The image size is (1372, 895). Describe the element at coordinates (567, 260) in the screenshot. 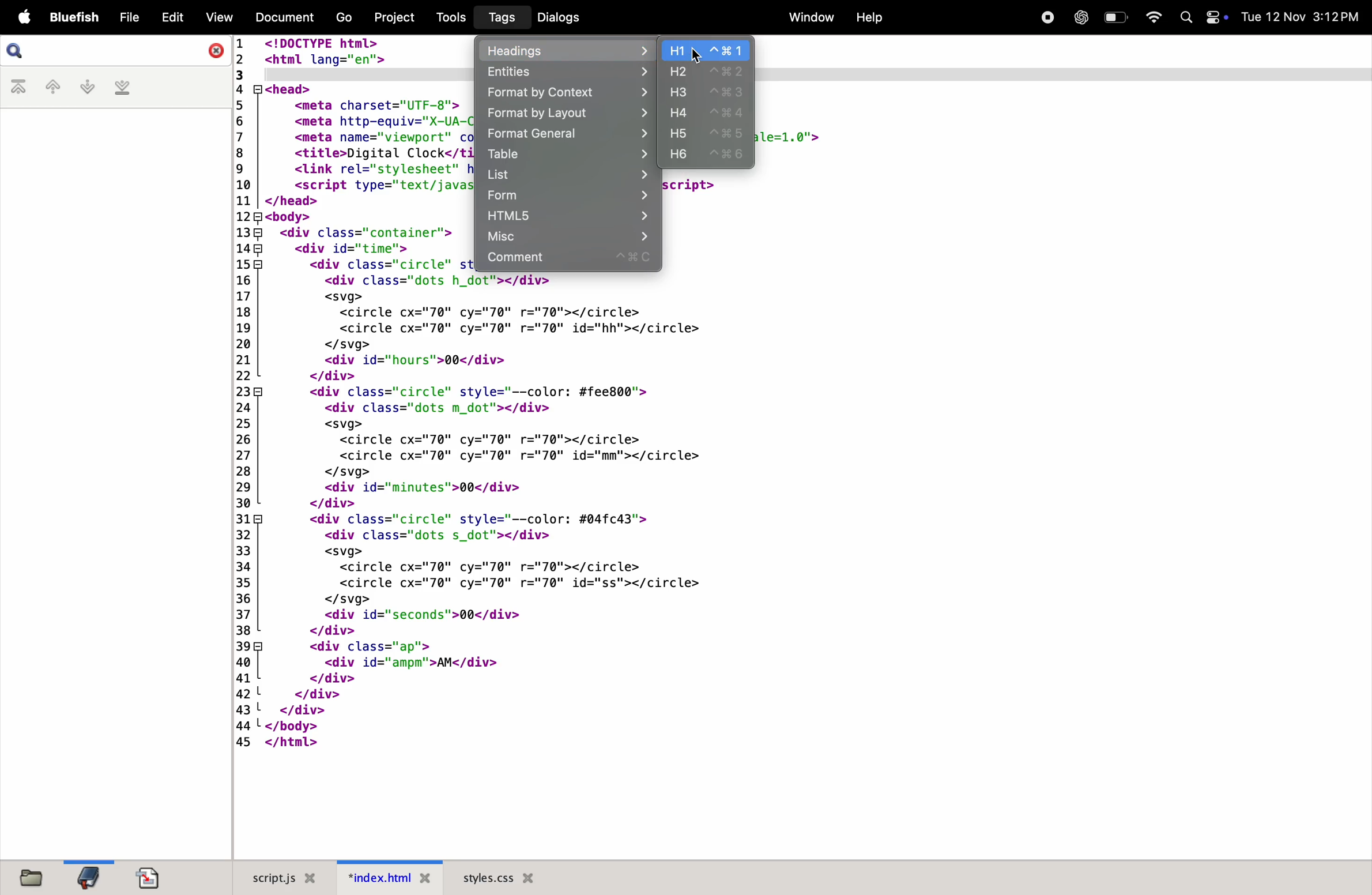

I see `comment` at that location.